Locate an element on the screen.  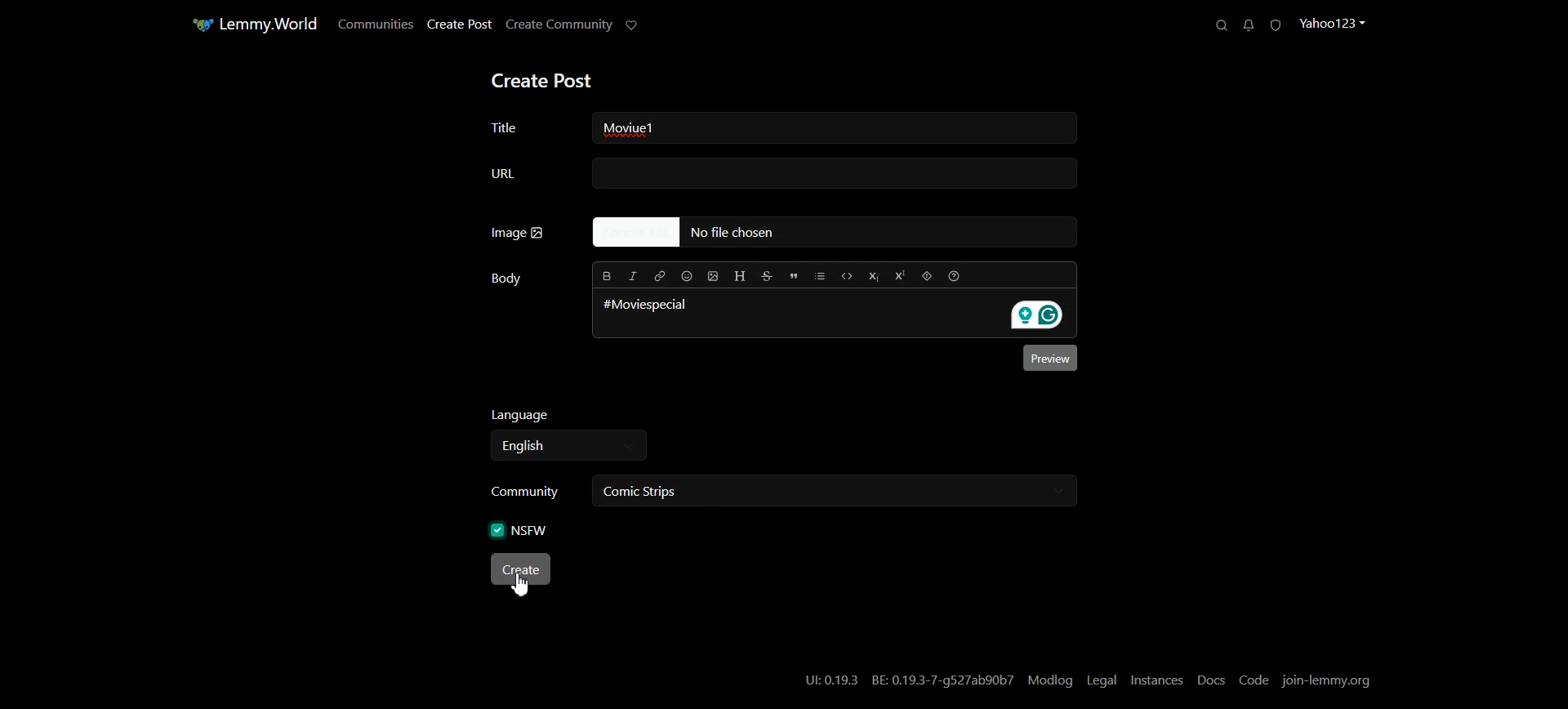
Create Post is located at coordinates (460, 24).